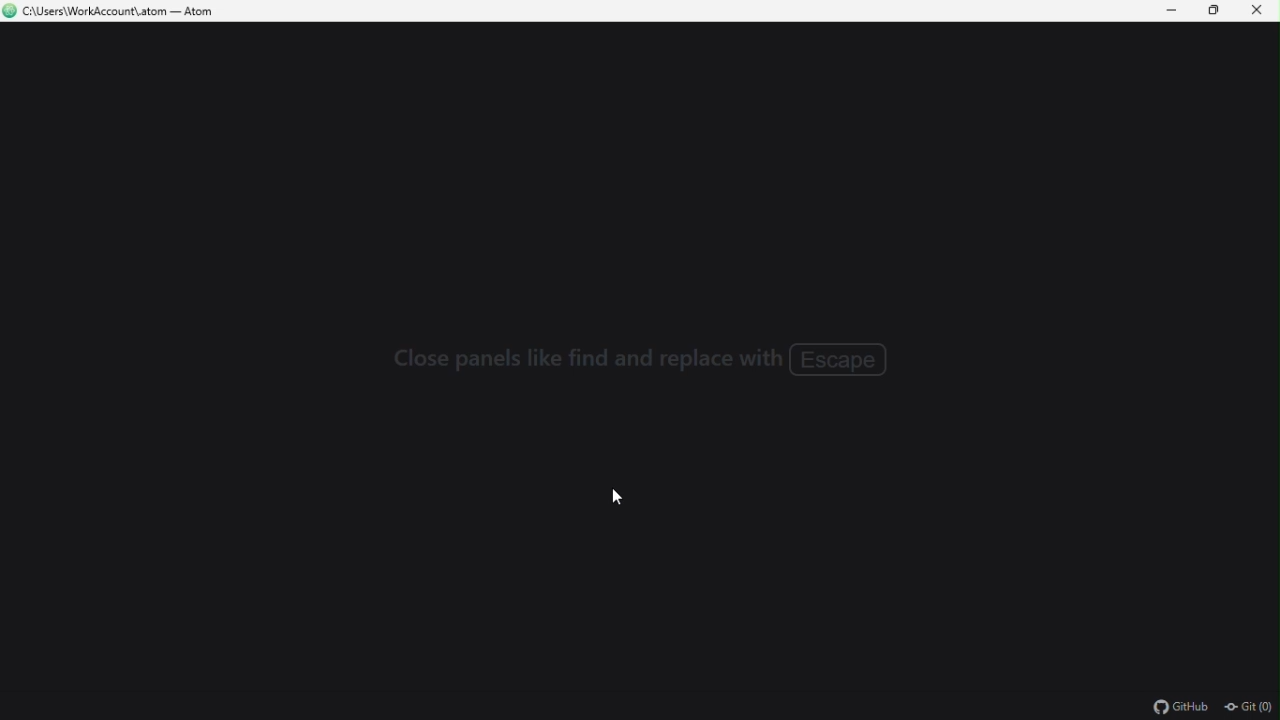 The height and width of the screenshot is (720, 1280). I want to click on minimize, so click(1164, 12).